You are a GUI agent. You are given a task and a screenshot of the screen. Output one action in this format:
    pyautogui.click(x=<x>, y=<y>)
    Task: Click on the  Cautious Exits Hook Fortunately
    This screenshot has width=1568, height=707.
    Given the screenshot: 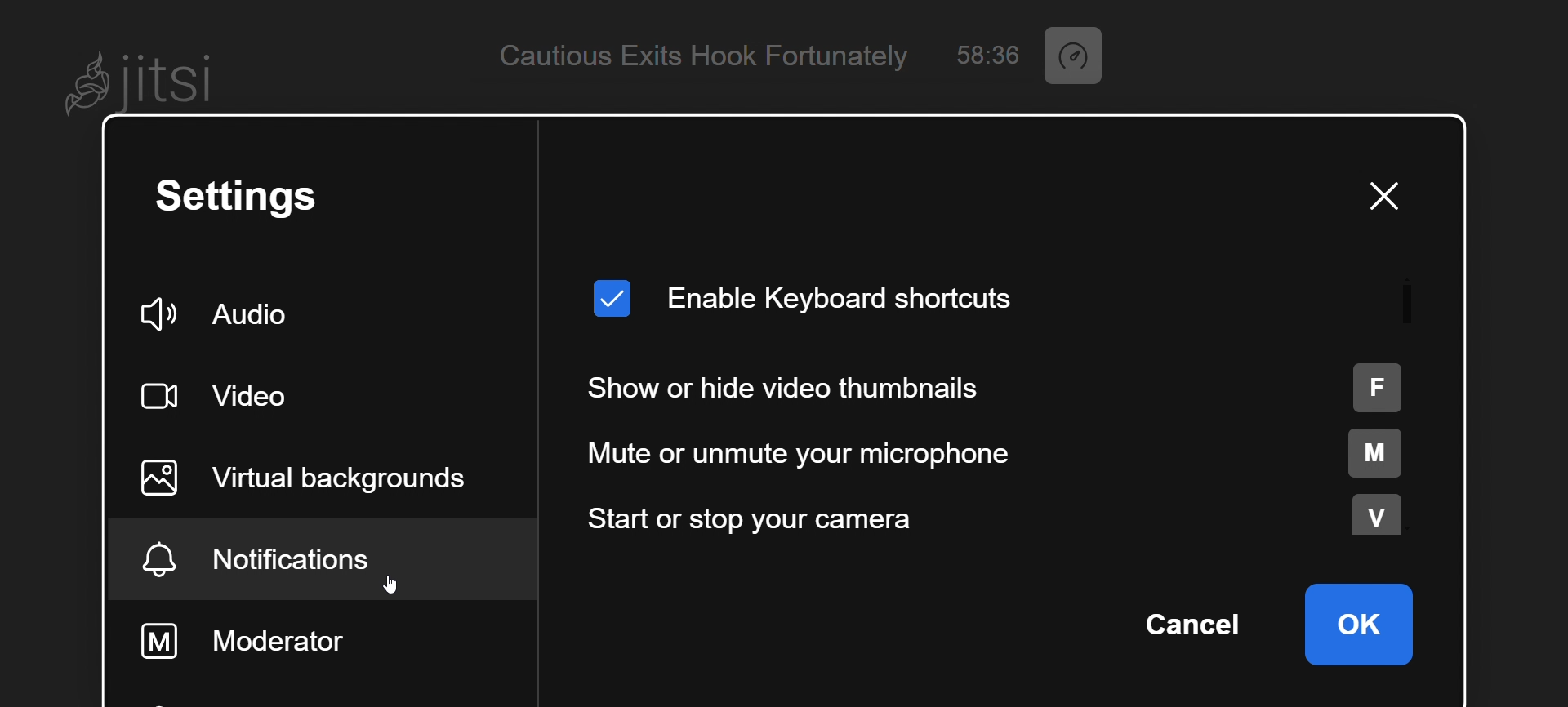 What is the action you would take?
    pyautogui.click(x=693, y=58)
    